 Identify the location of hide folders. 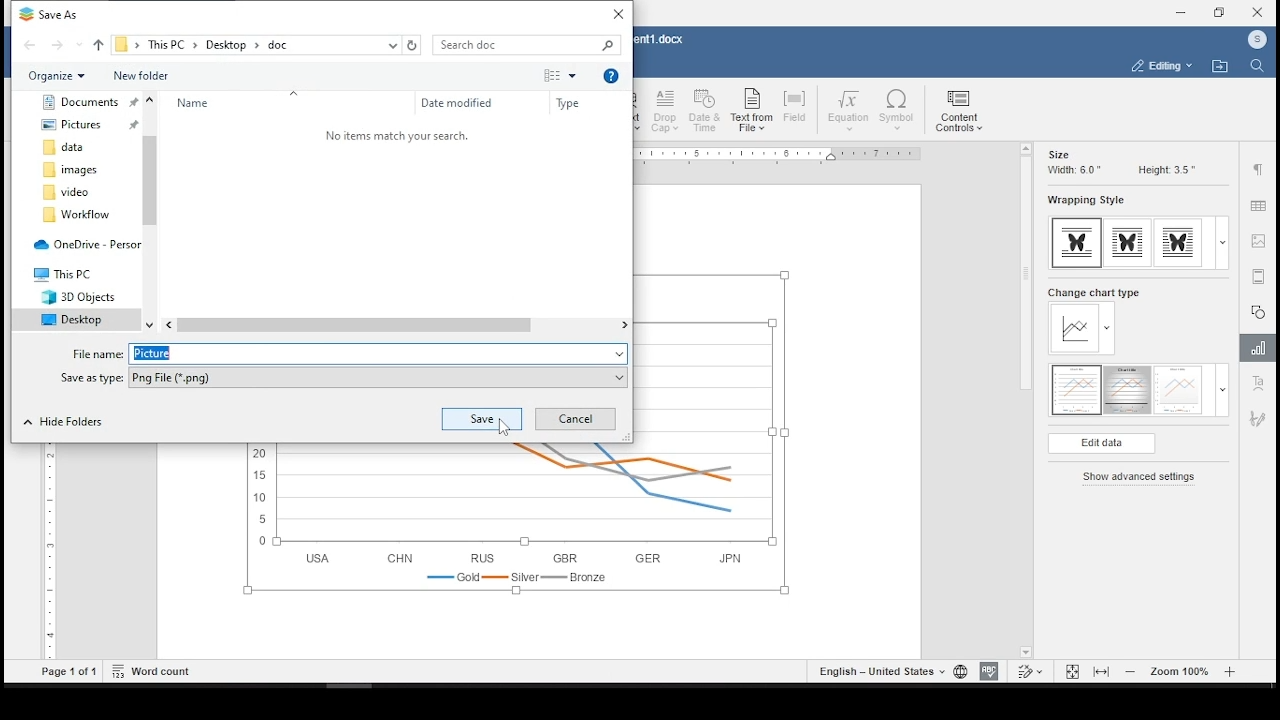
(66, 422).